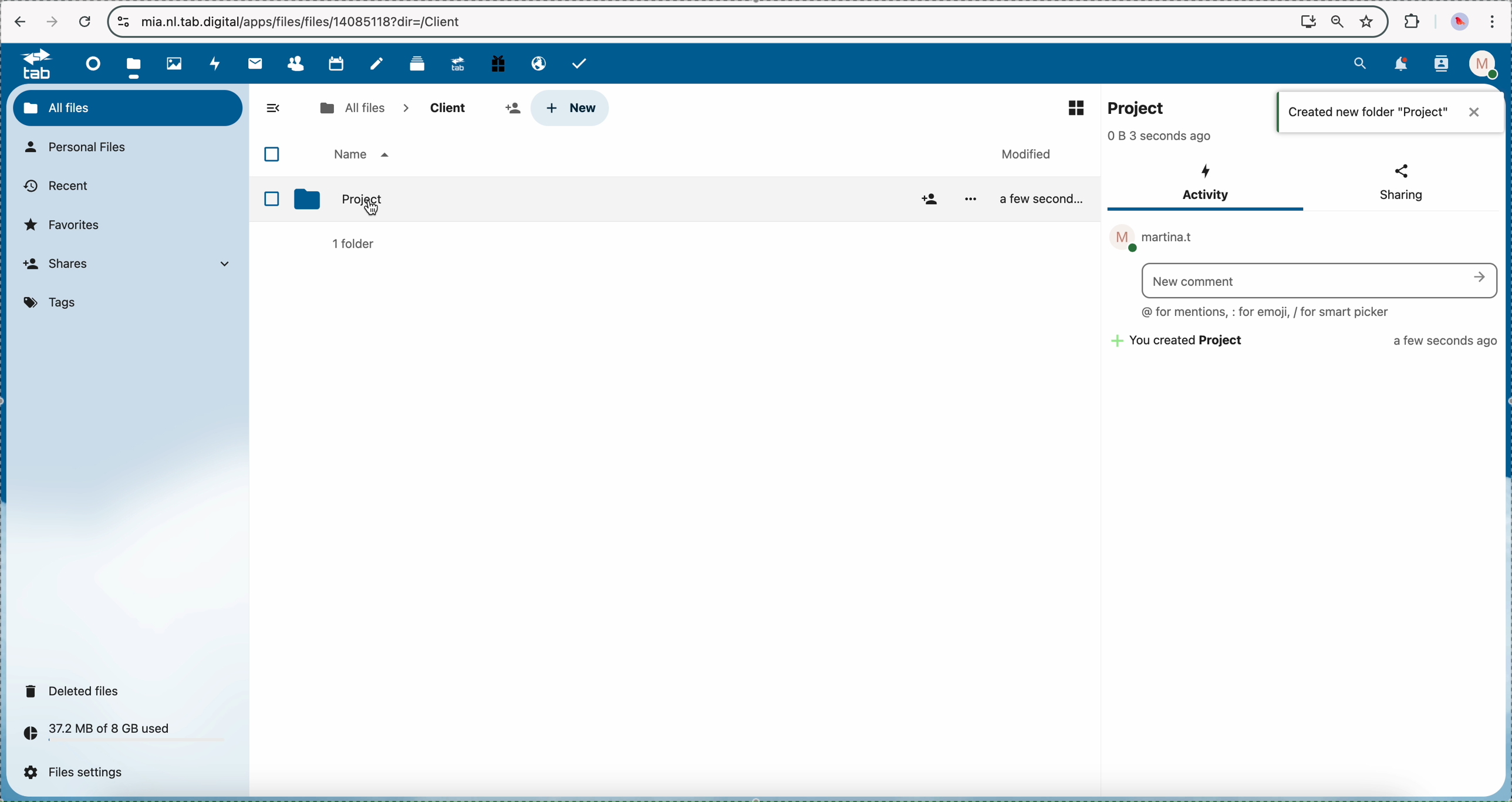  Describe the element at coordinates (1079, 109) in the screenshot. I see `list view` at that location.